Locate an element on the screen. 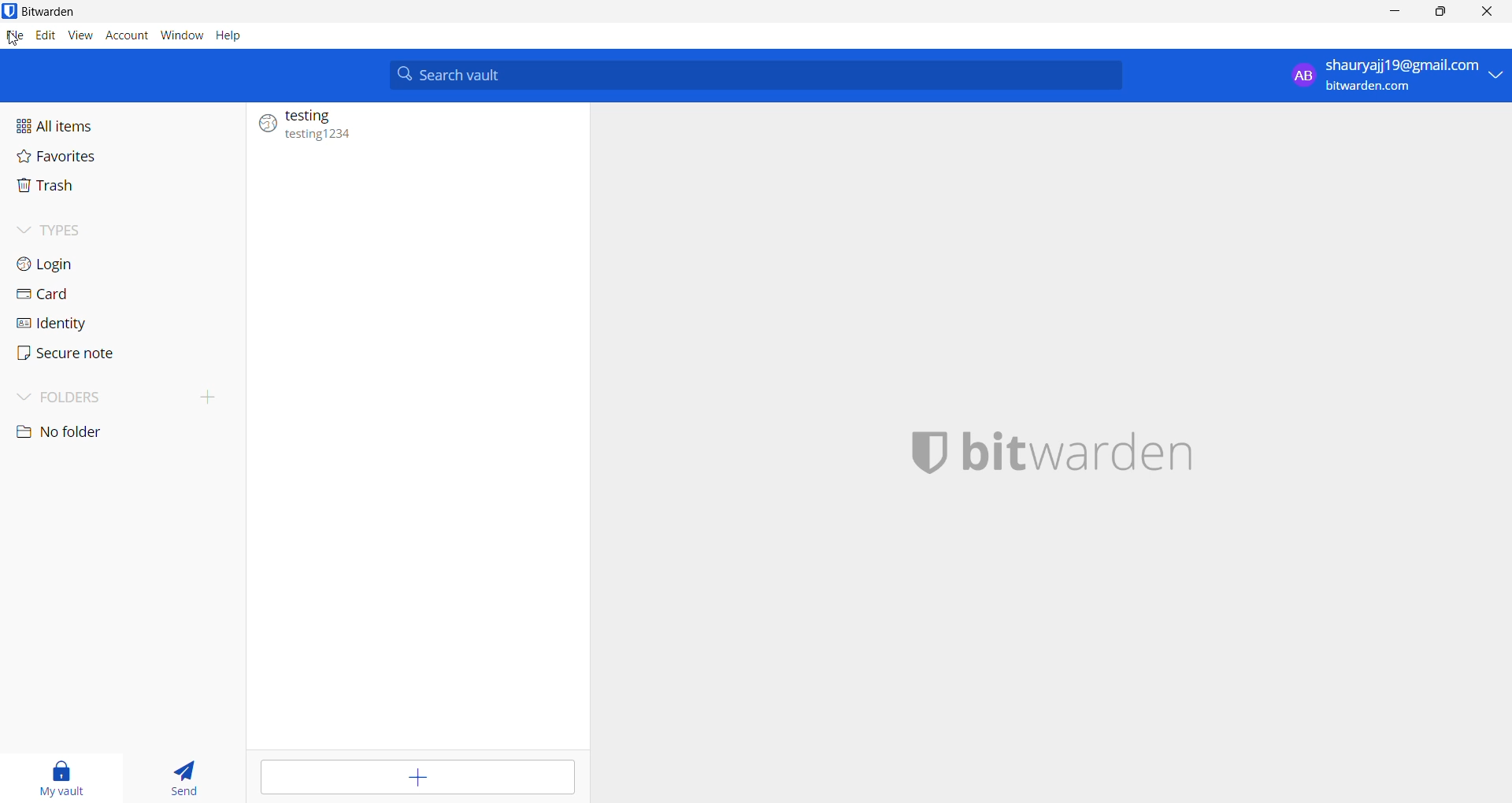 Image resolution: width=1512 pixels, height=803 pixels. send is located at coordinates (183, 781).